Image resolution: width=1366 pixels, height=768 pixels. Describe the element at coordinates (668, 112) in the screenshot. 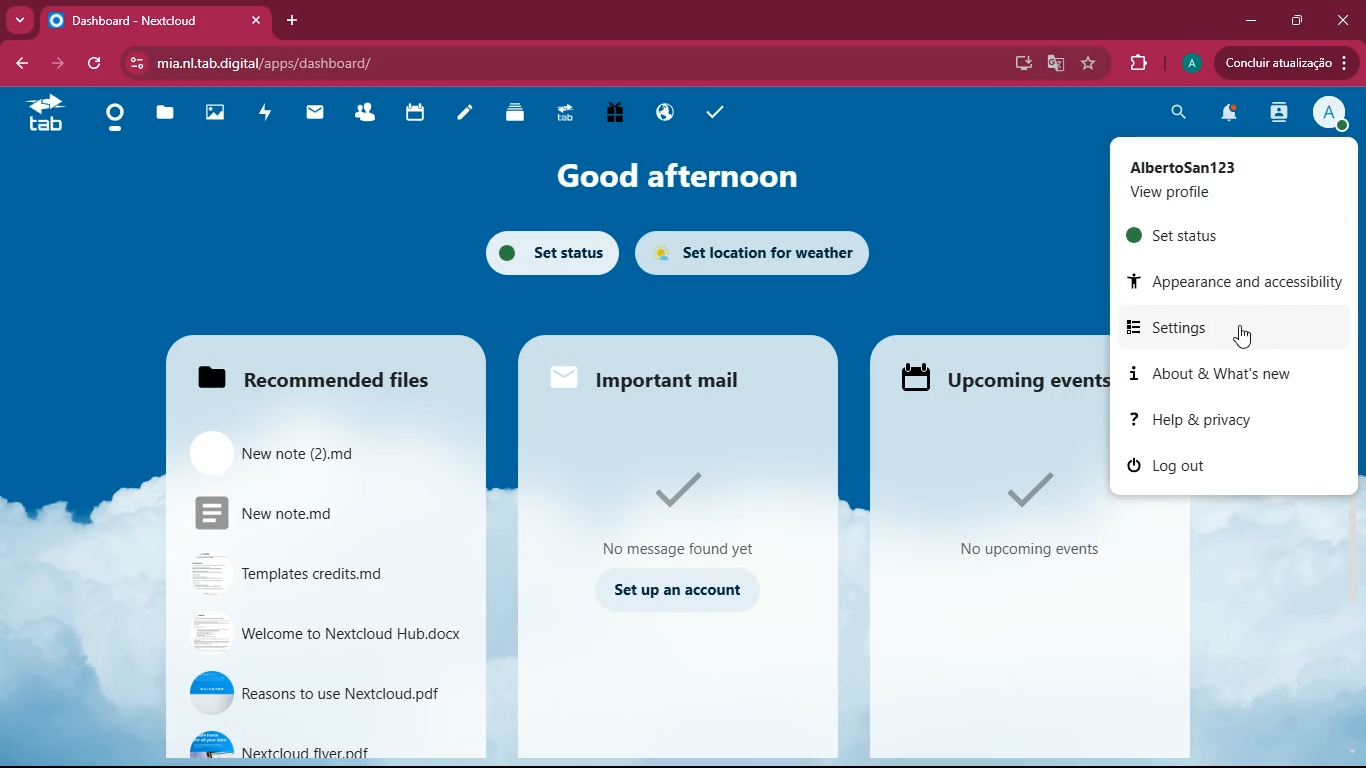

I see `public` at that location.